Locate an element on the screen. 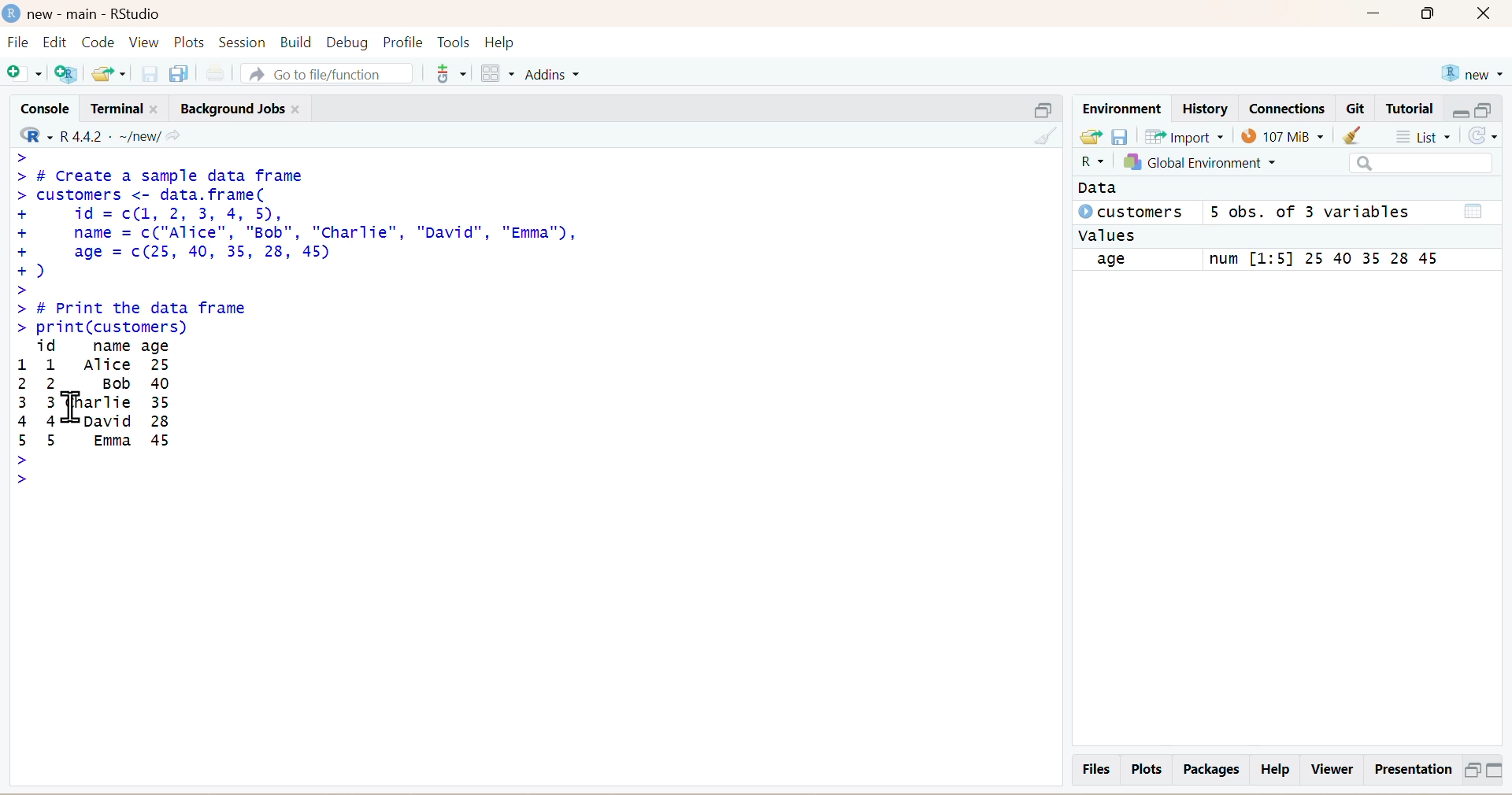  values is located at coordinates (1109, 236).